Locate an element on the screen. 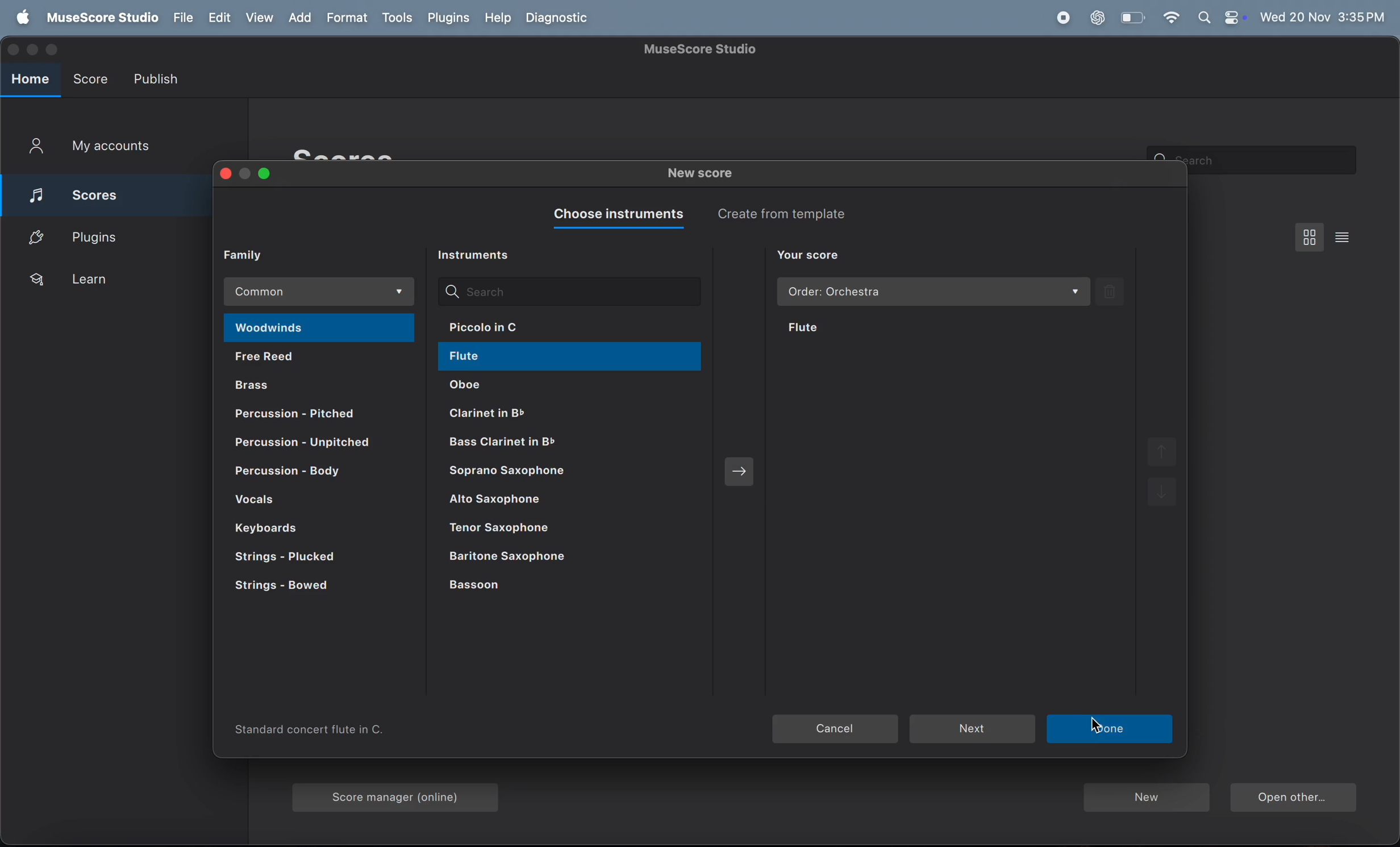 This screenshot has height=847, width=1400. common is located at coordinates (322, 292).